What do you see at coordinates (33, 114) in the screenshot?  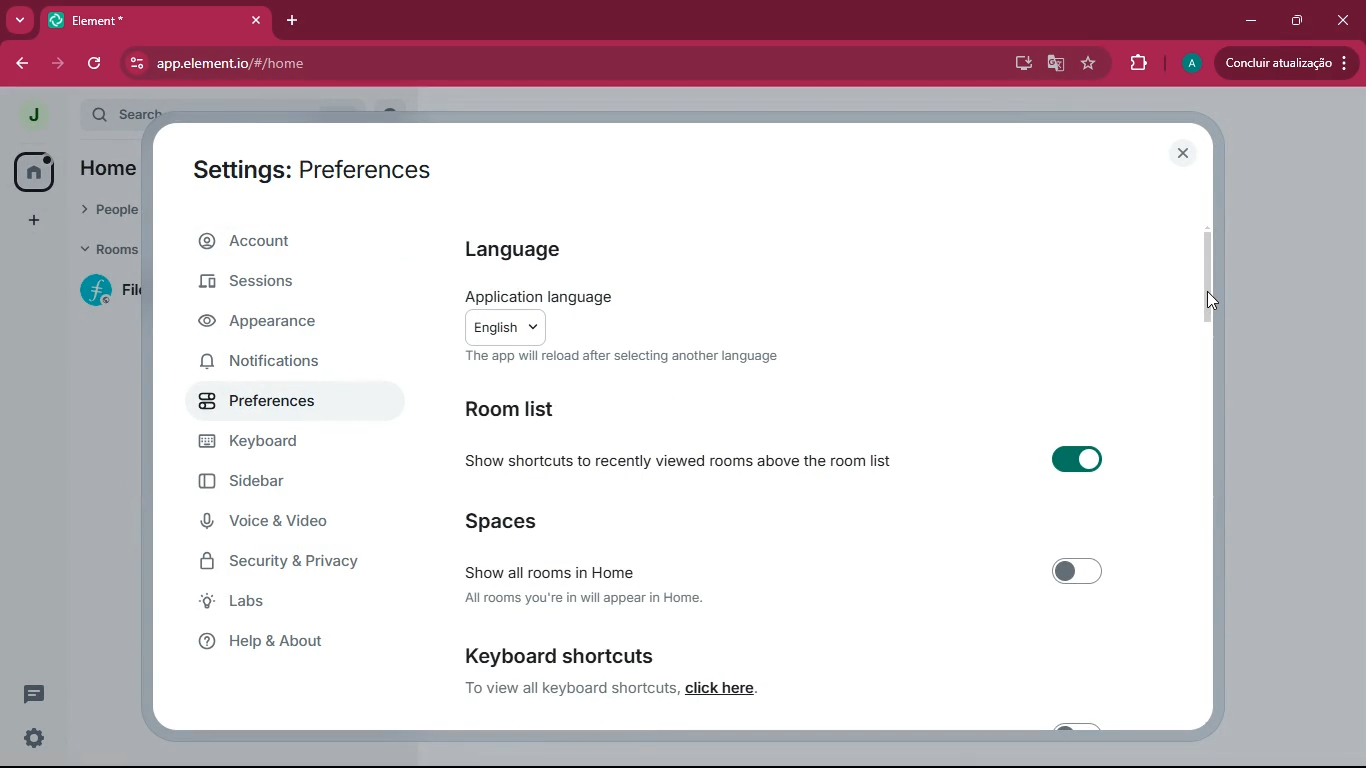 I see `profile picture` at bounding box center [33, 114].